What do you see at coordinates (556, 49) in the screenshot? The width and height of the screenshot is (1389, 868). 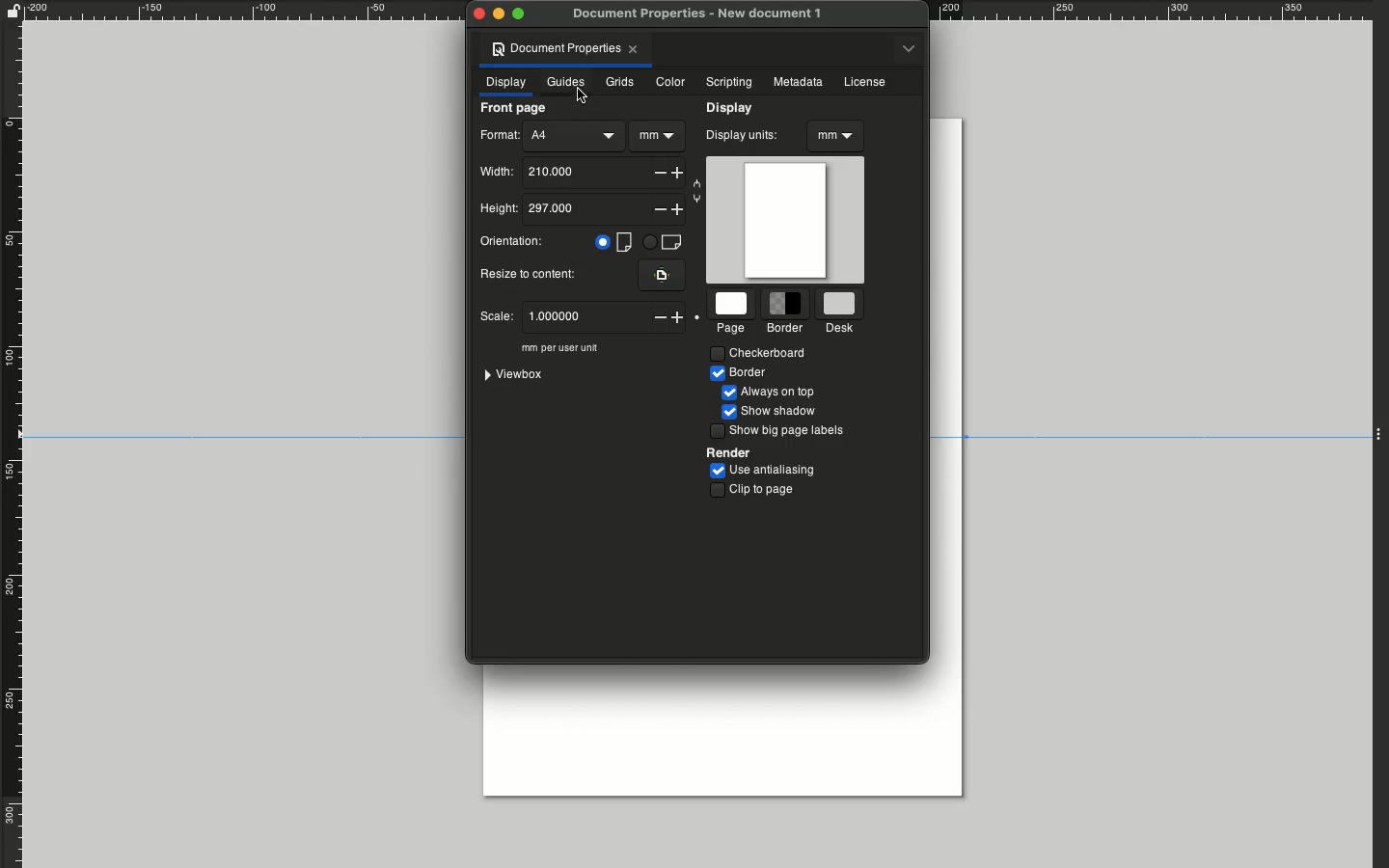 I see `Document properties` at bounding box center [556, 49].